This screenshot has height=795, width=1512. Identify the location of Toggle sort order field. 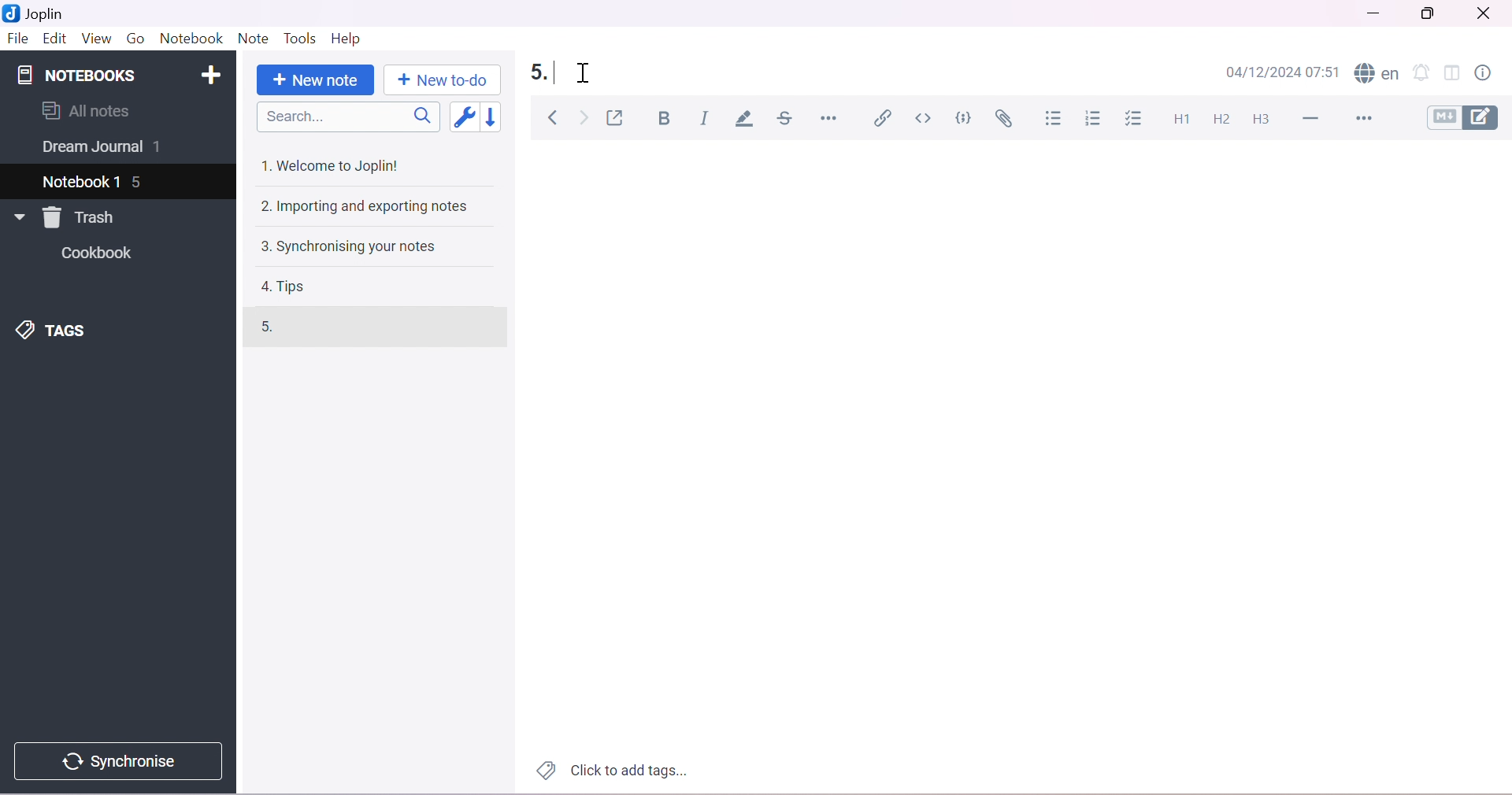
(467, 119).